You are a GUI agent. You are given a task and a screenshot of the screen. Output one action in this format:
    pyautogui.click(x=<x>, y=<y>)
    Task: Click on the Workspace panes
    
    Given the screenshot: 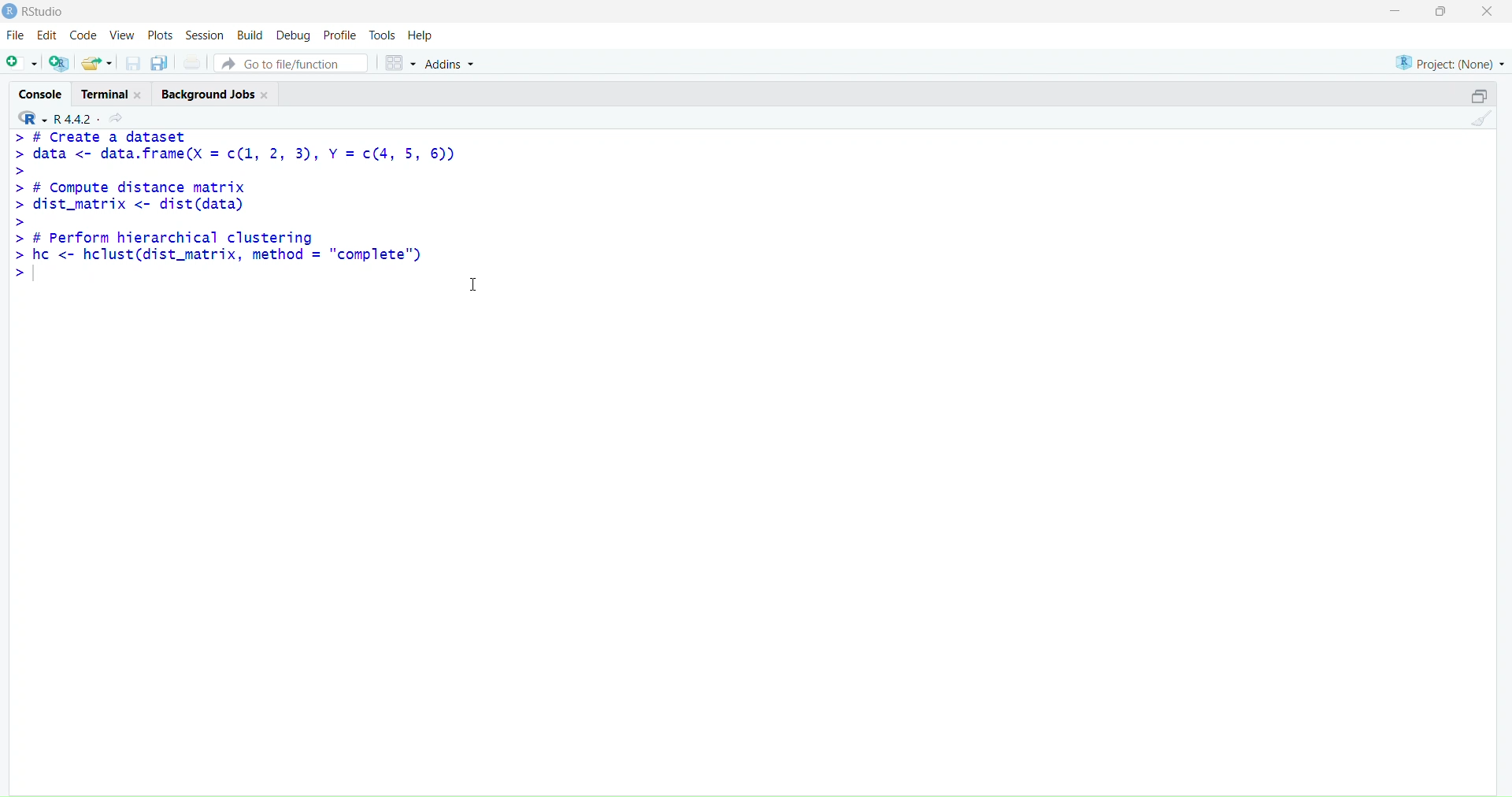 What is the action you would take?
    pyautogui.click(x=401, y=61)
    